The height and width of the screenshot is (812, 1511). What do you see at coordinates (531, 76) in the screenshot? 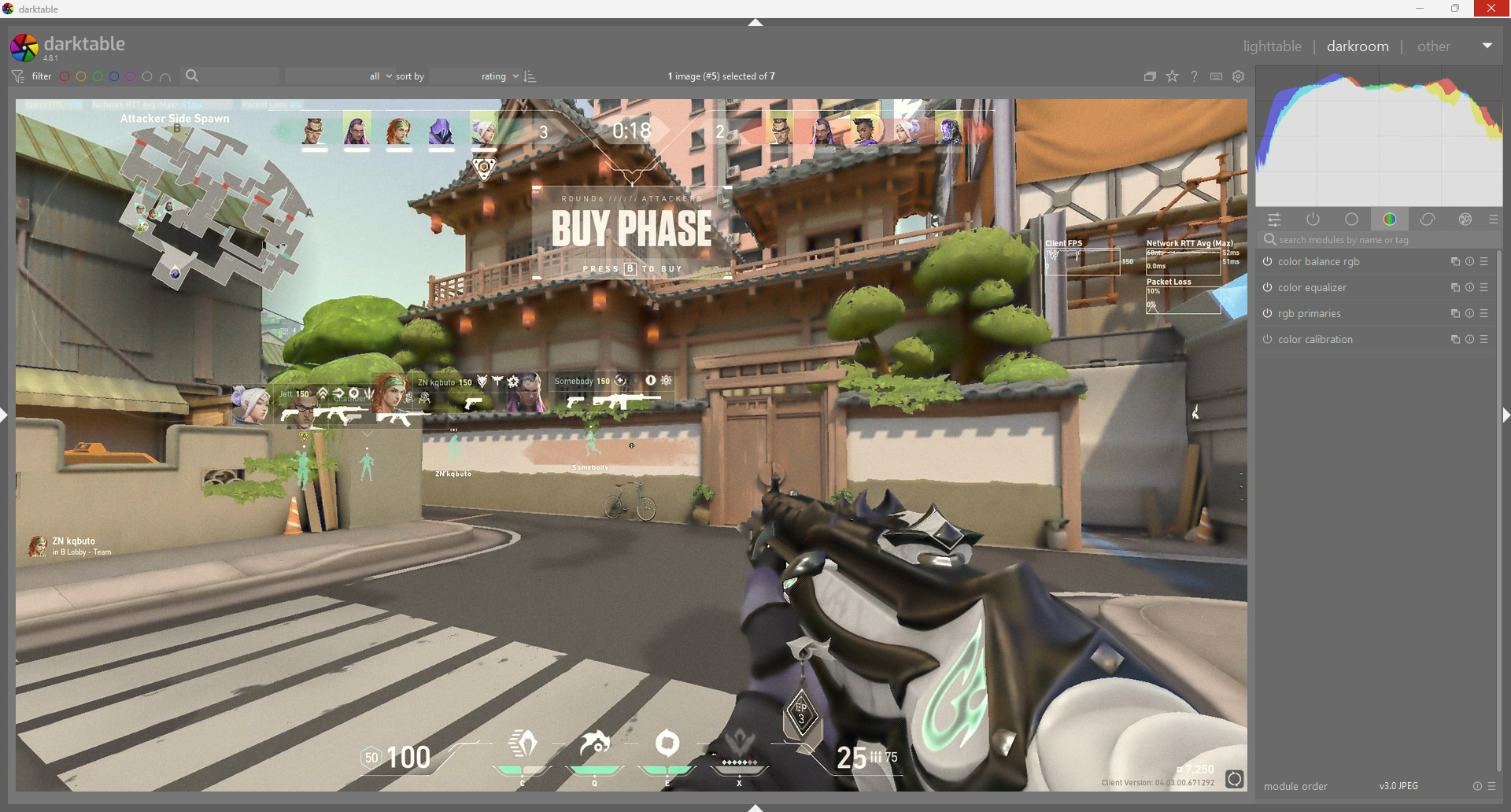
I see `reverse sort` at bounding box center [531, 76].